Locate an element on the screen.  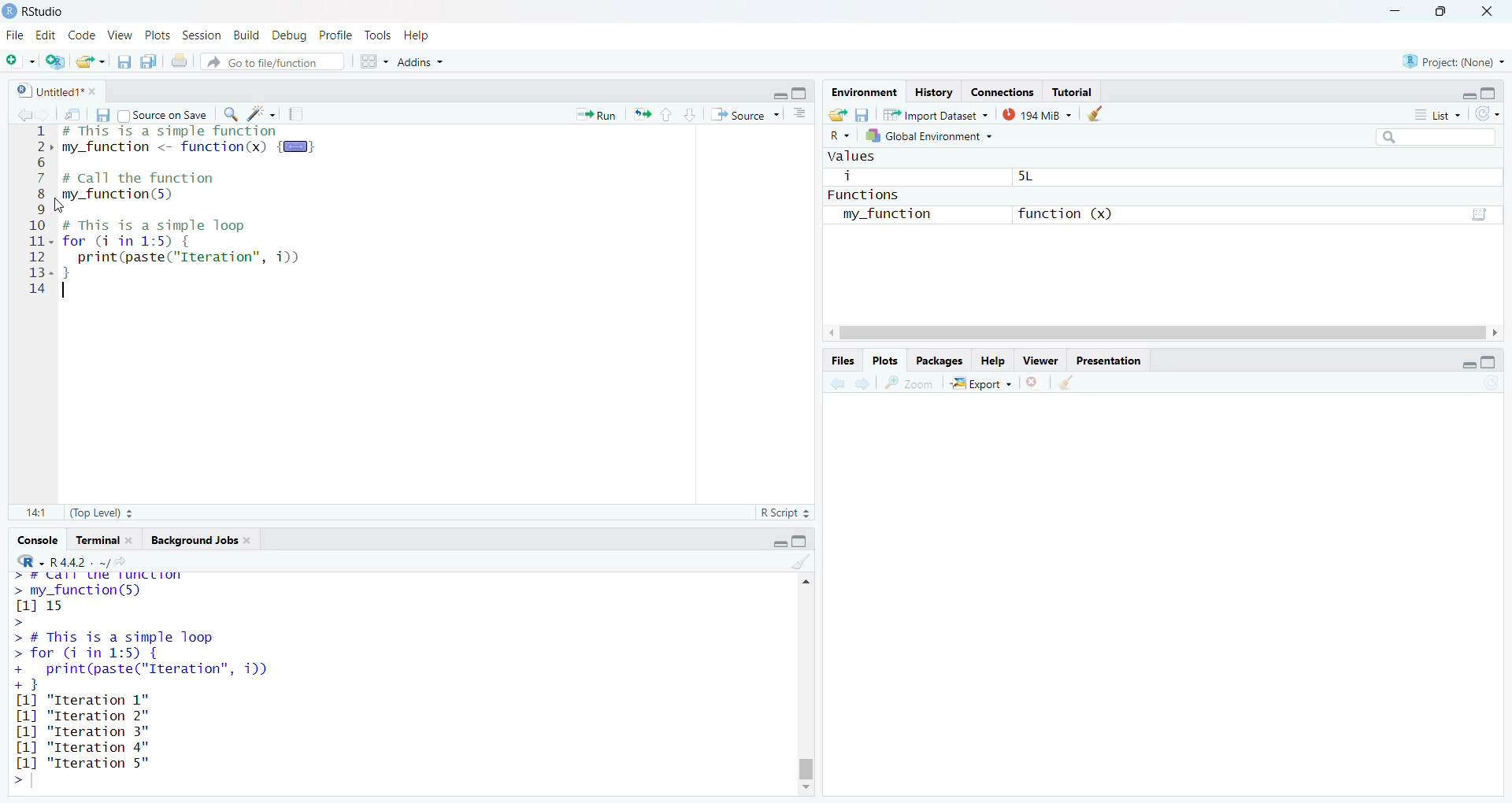
typing cursor is located at coordinates (71, 292).